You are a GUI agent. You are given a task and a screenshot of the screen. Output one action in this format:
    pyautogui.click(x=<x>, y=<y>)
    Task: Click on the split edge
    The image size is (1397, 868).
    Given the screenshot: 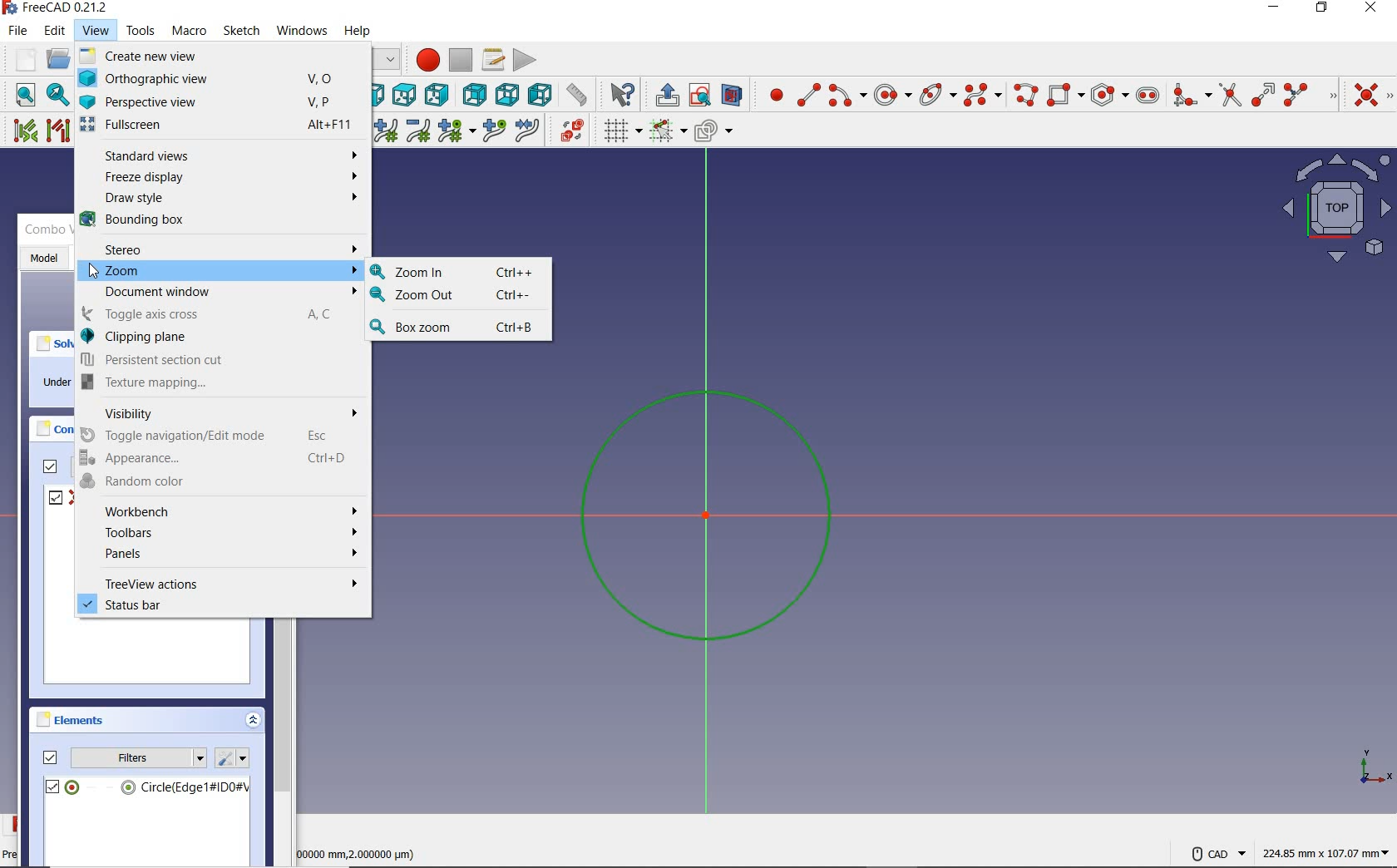 What is the action you would take?
    pyautogui.click(x=1309, y=95)
    